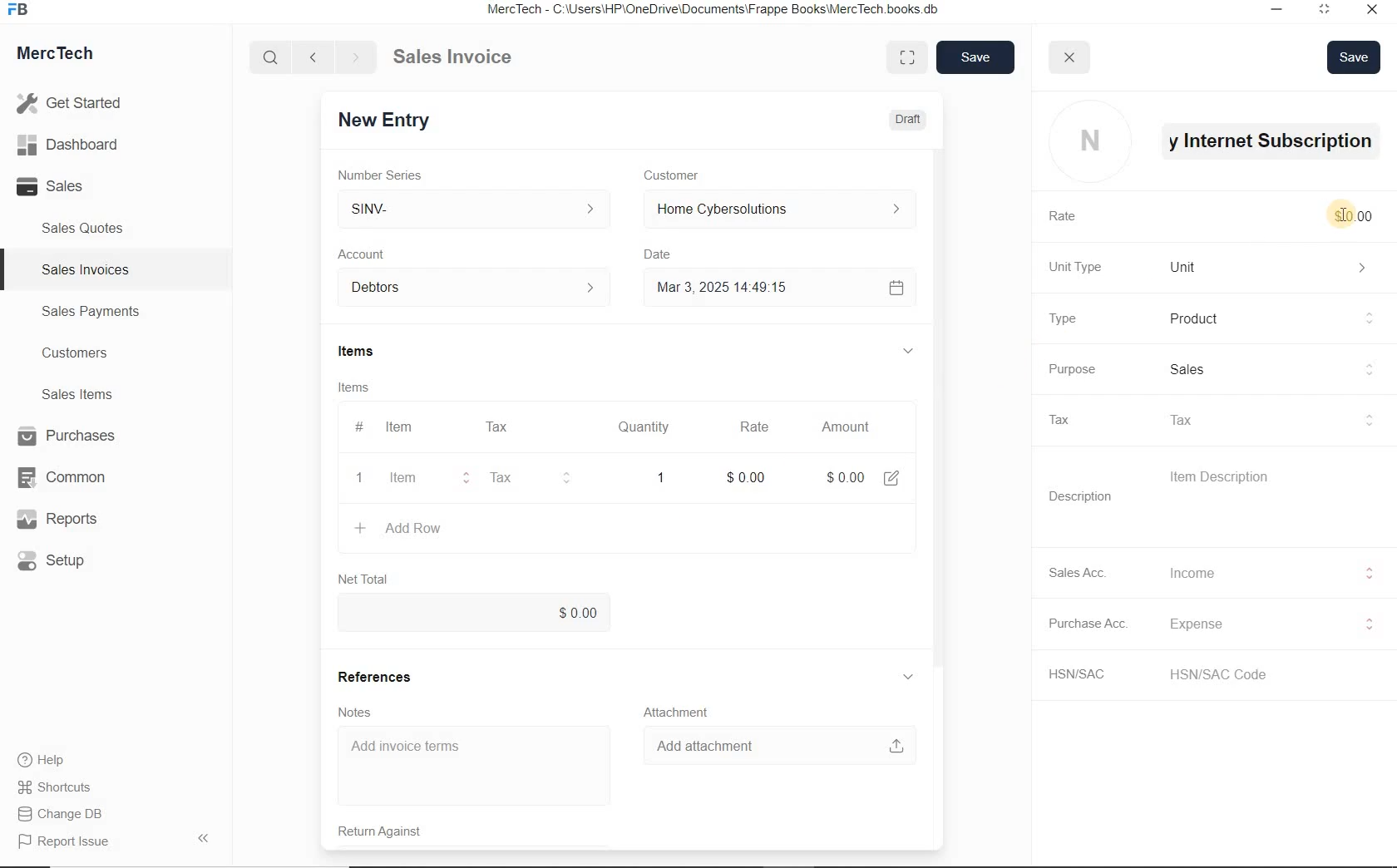  What do you see at coordinates (202, 837) in the screenshot?
I see `Hide Sidebar` at bounding box center [202, 837].